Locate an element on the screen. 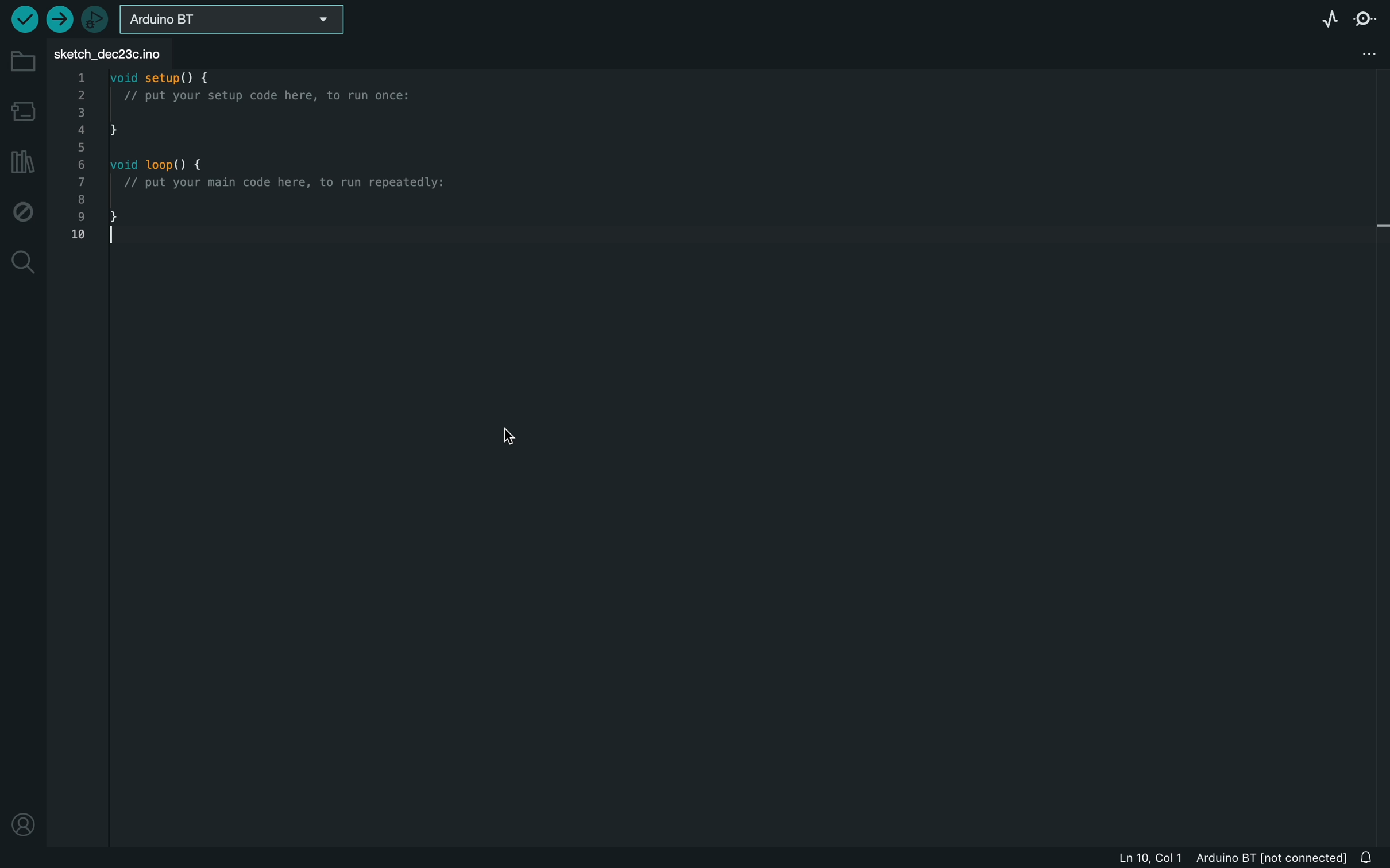 The height and width of the screenshot is (868, 1390). notification is located at coordinates (1370, 857).